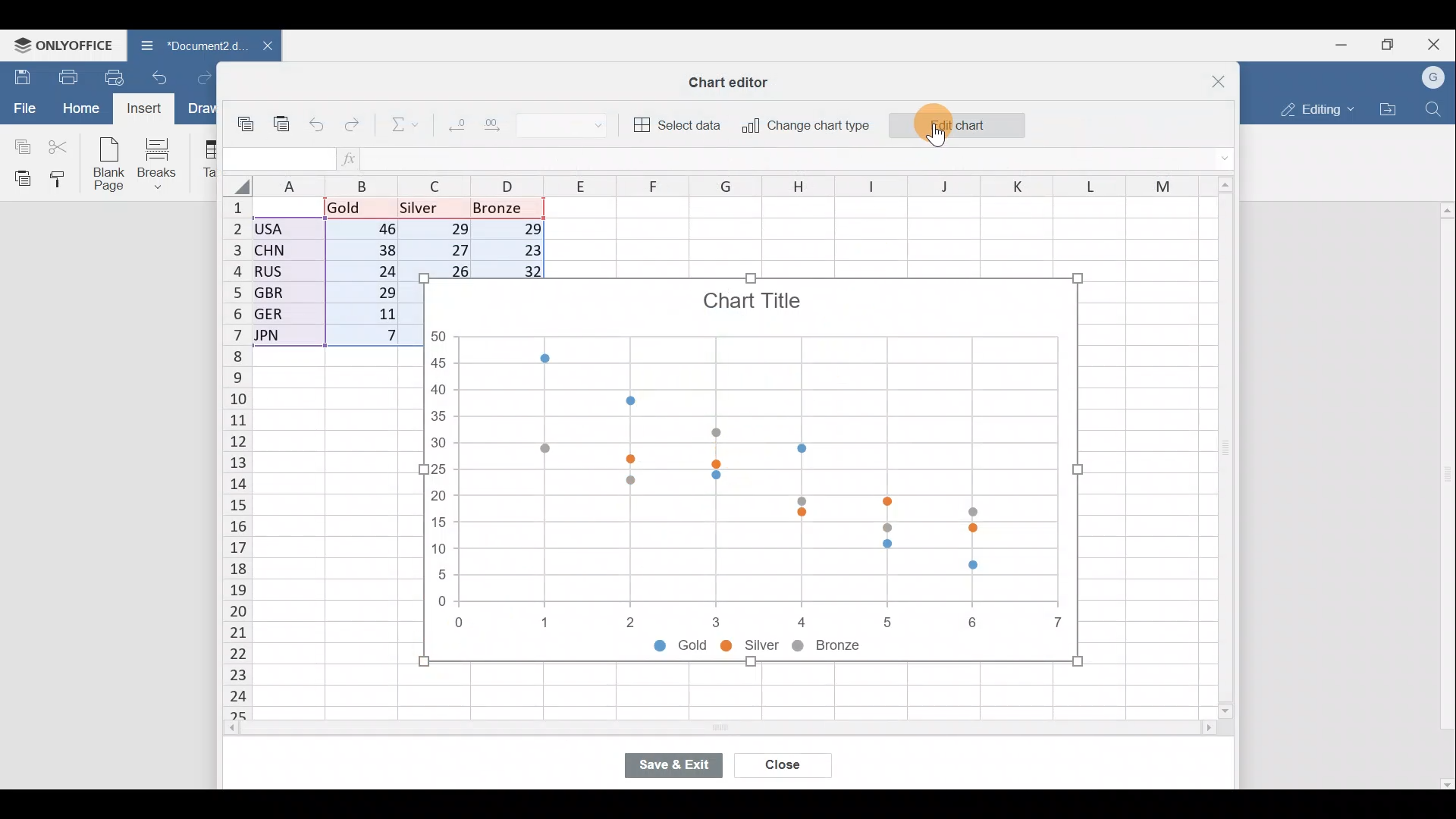 This screenshot has width=1456, height=819. What do you see at coordinates (111, 165) in the screenshot?
I see `Blank page` at bounding box center [111, 165].